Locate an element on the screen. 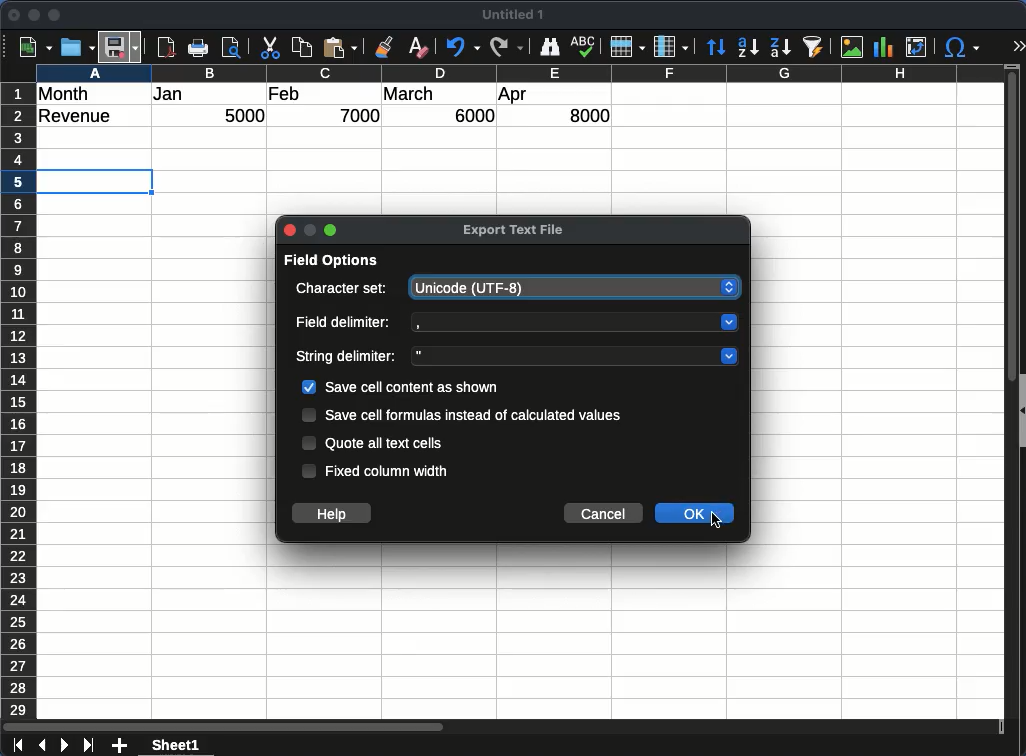 The image size is (1026, 756). cancel is located at coordinates (603, 514).